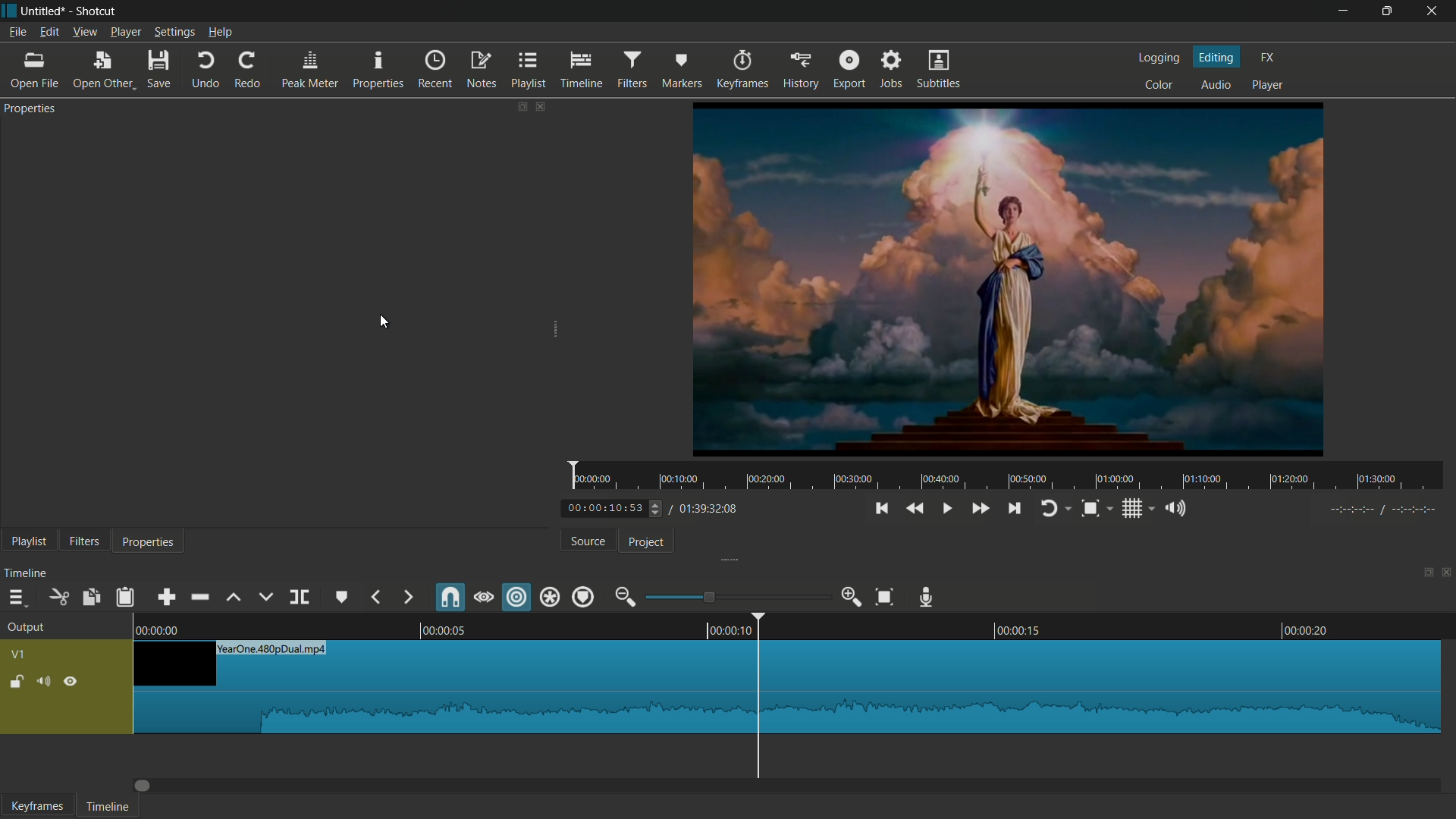 The height and width of the screenshot is (819, 1456). What do you see at coordinates (586, 541) in the screenshot?
I see `source` at bounding box center [586, 541].